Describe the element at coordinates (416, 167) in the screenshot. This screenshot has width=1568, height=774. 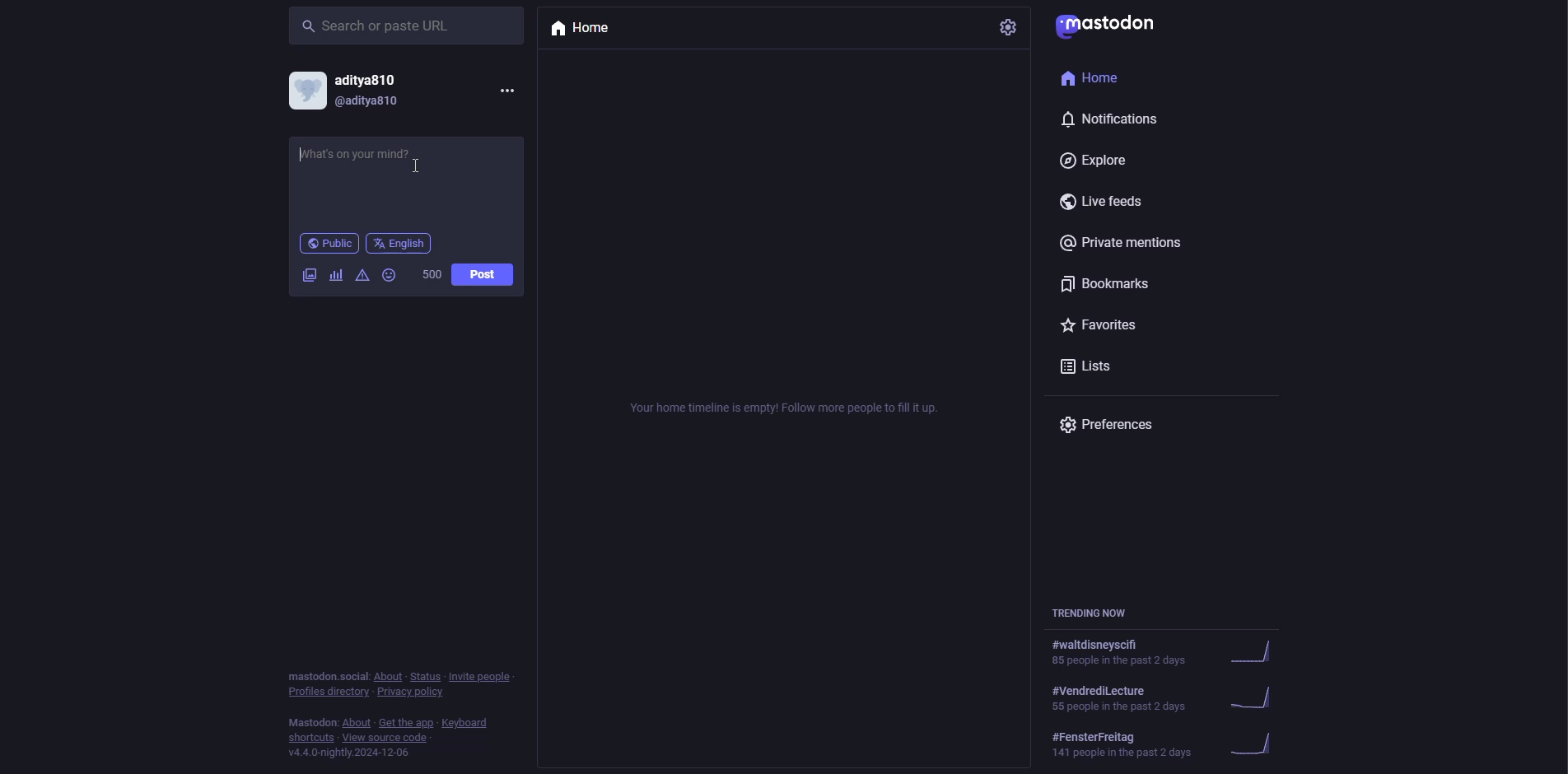
I see `Cursor` at that location.